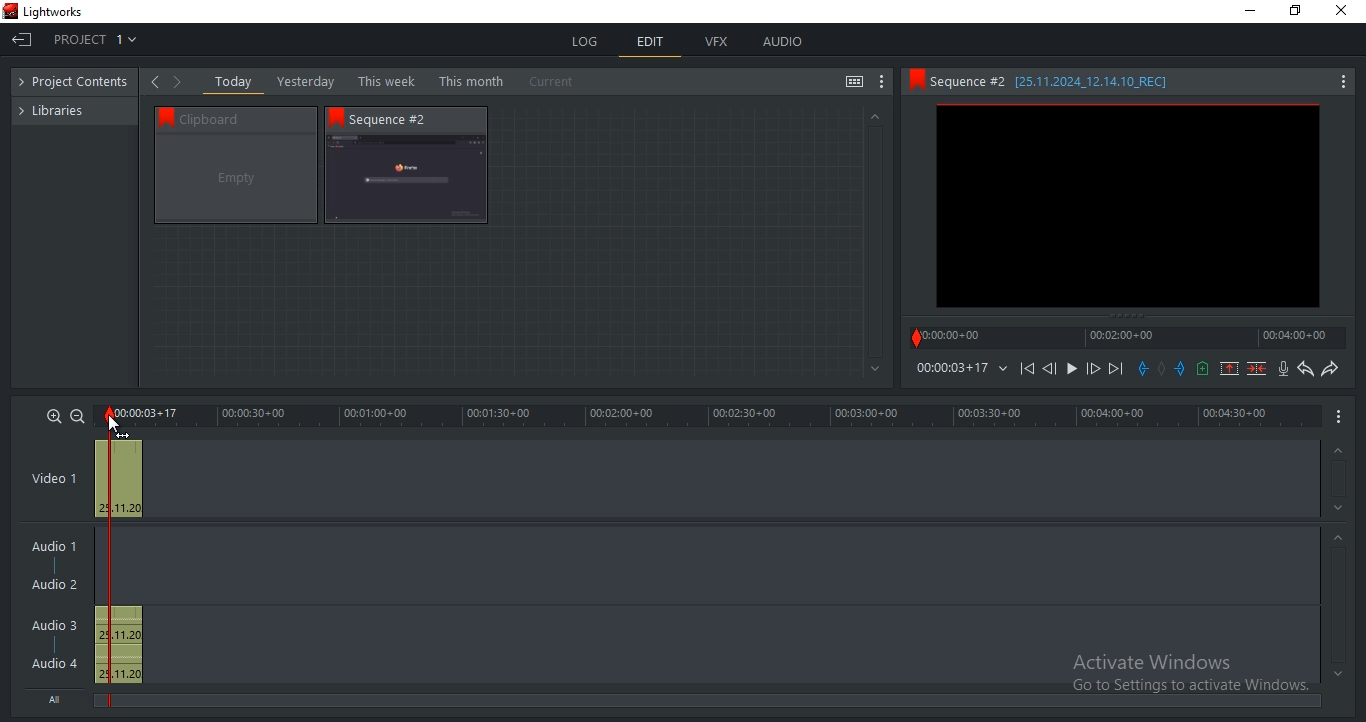 Image resolution: width=1366 pixels, height=722 pixels. Describe the element at coordinates (236, 179) in the screenshot. I see `clipboard` at that location.